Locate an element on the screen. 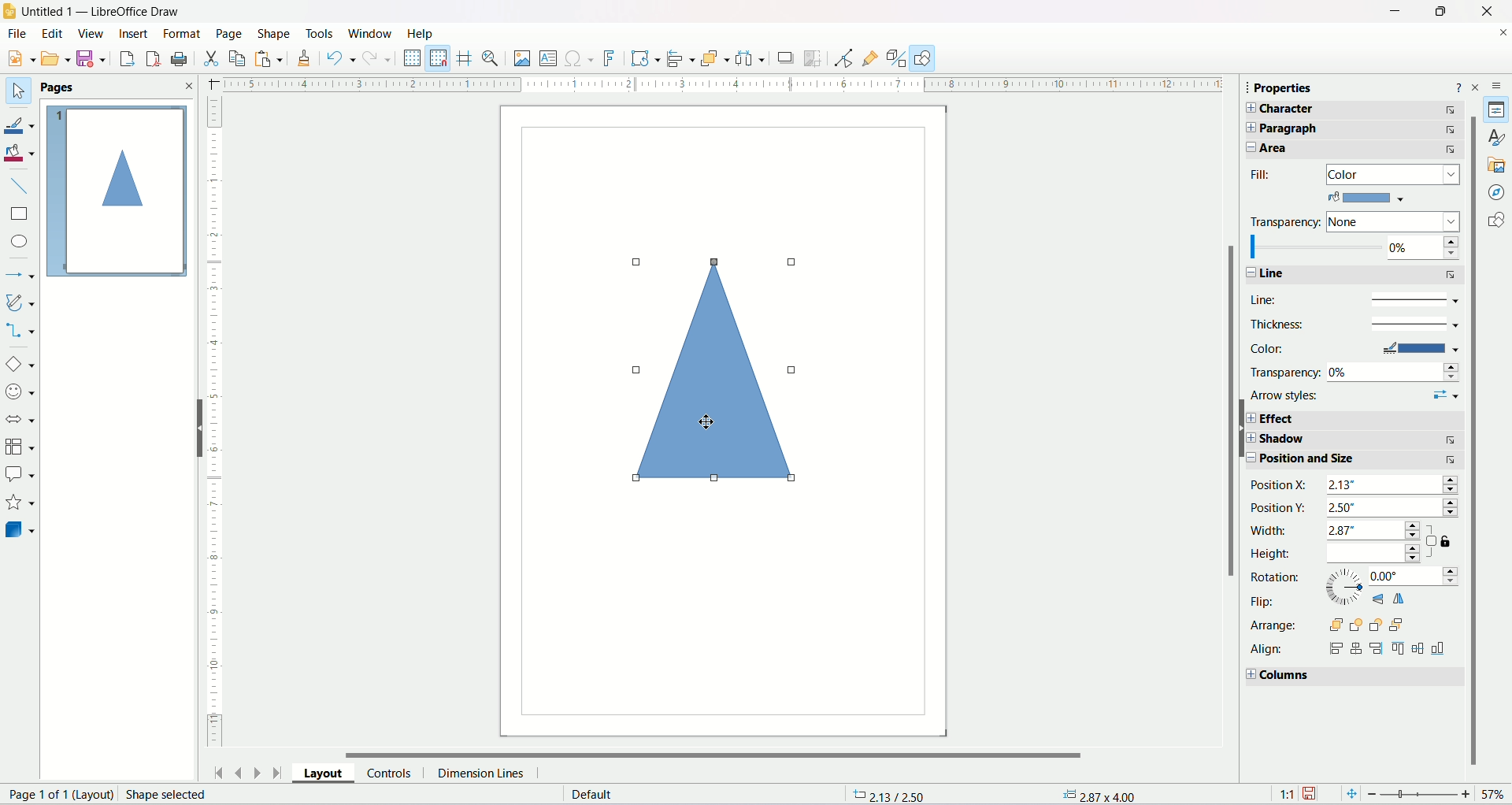 This screenshot has height=805, width=1512. Close is located at coordinates (1488, 12).